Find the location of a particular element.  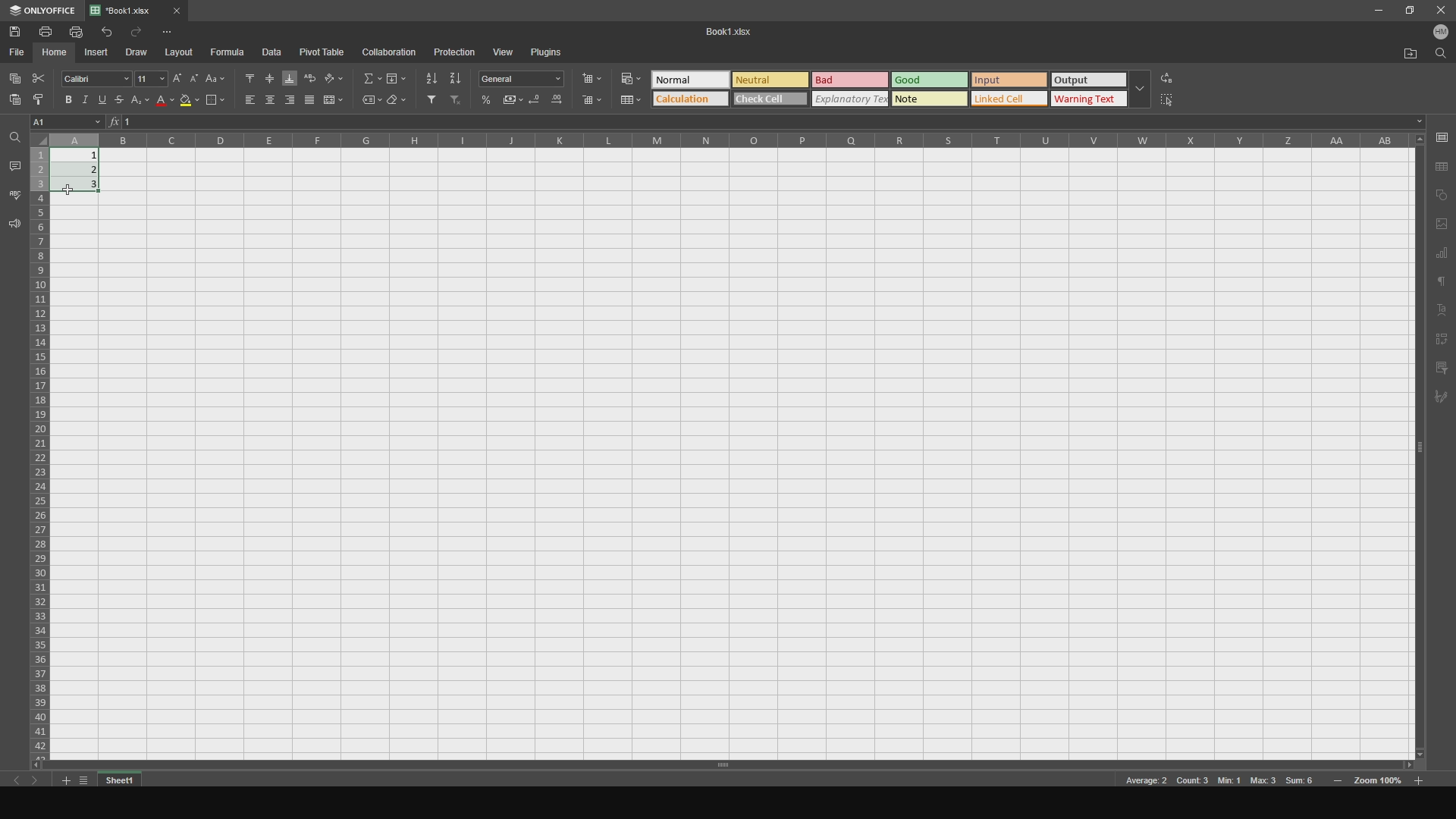

borders is located at coordinates (215, 101).